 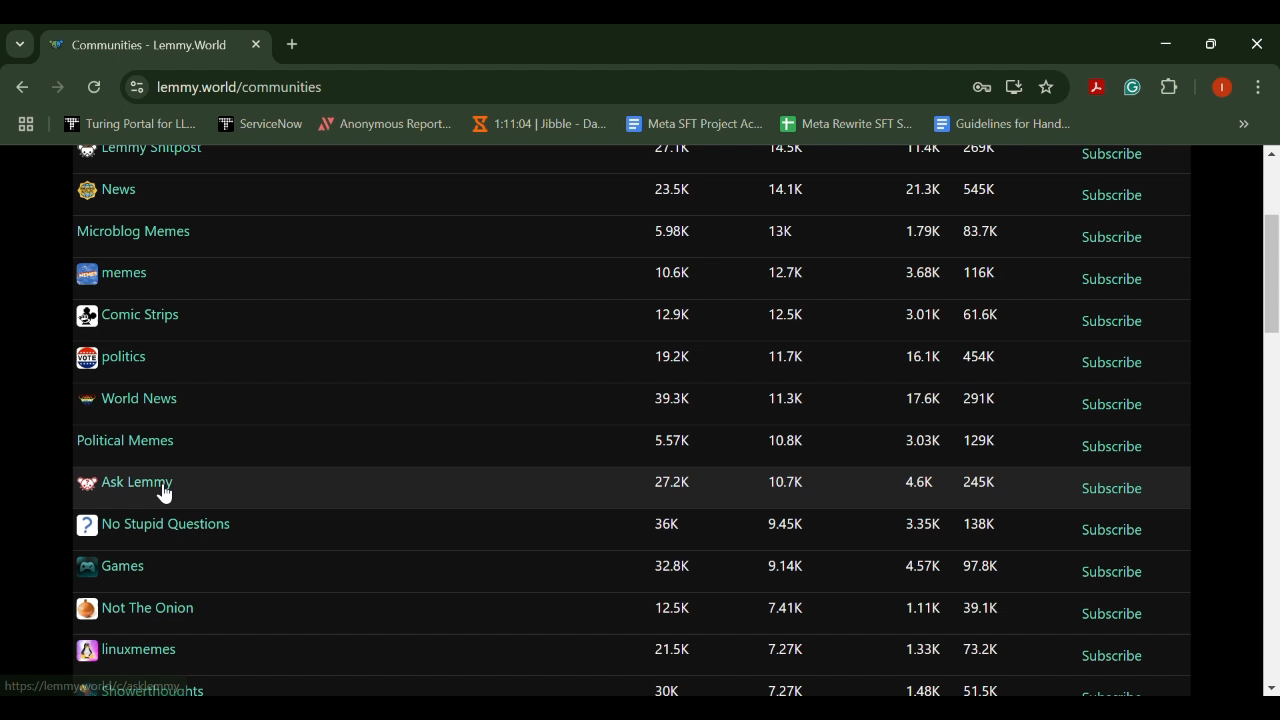 What do you see at coordinates (1258, 44) in the screenshot?
I see `Close Window` at bounding box center [1258, 44].